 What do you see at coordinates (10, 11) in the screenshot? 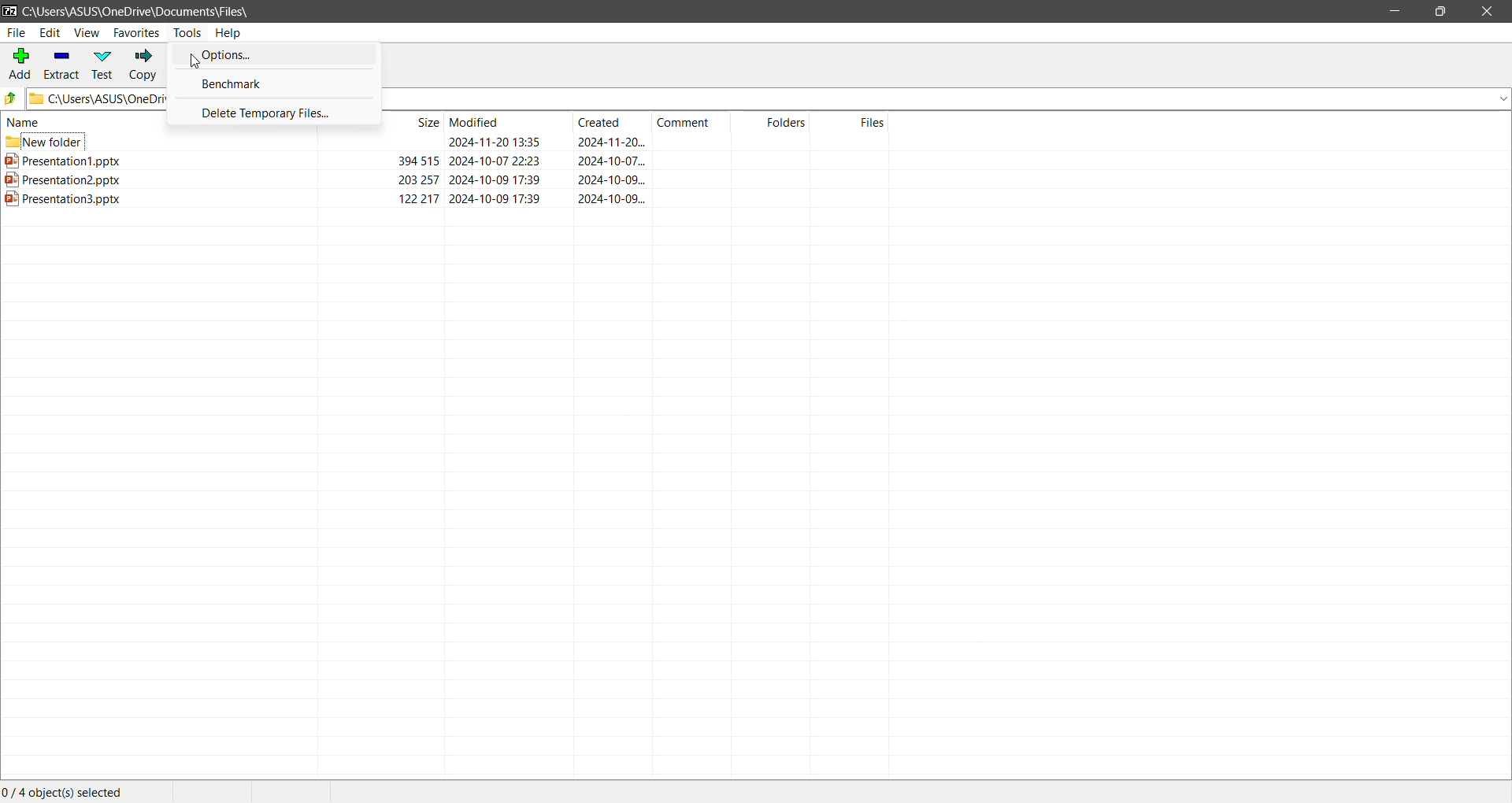
I see `Application Logo` at bounding box center [10, 11].